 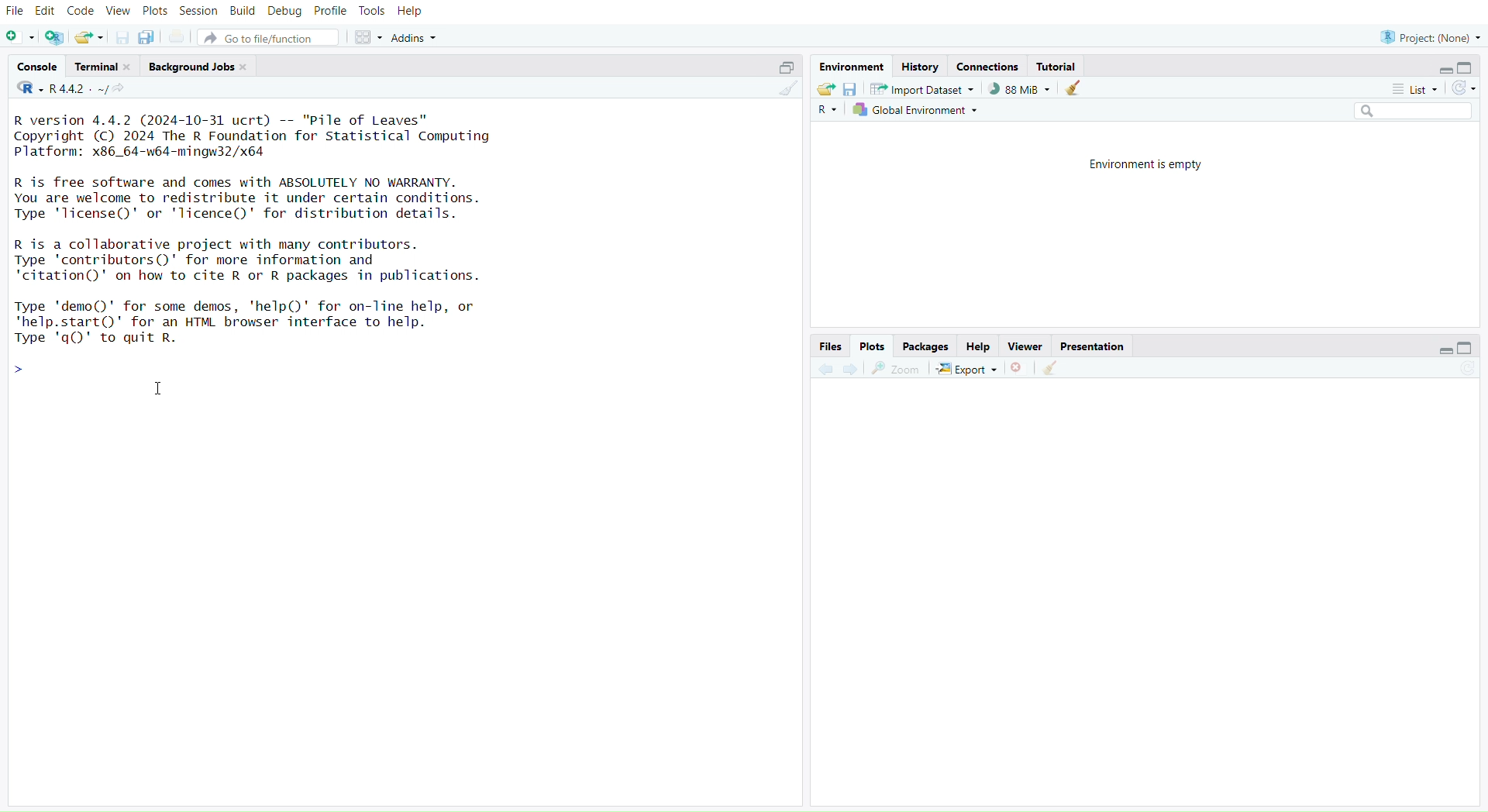 What do you see at coordinates (1459, 370) in the screenshot?
I see `refresh all plot` at bounding box center [1459, 370].